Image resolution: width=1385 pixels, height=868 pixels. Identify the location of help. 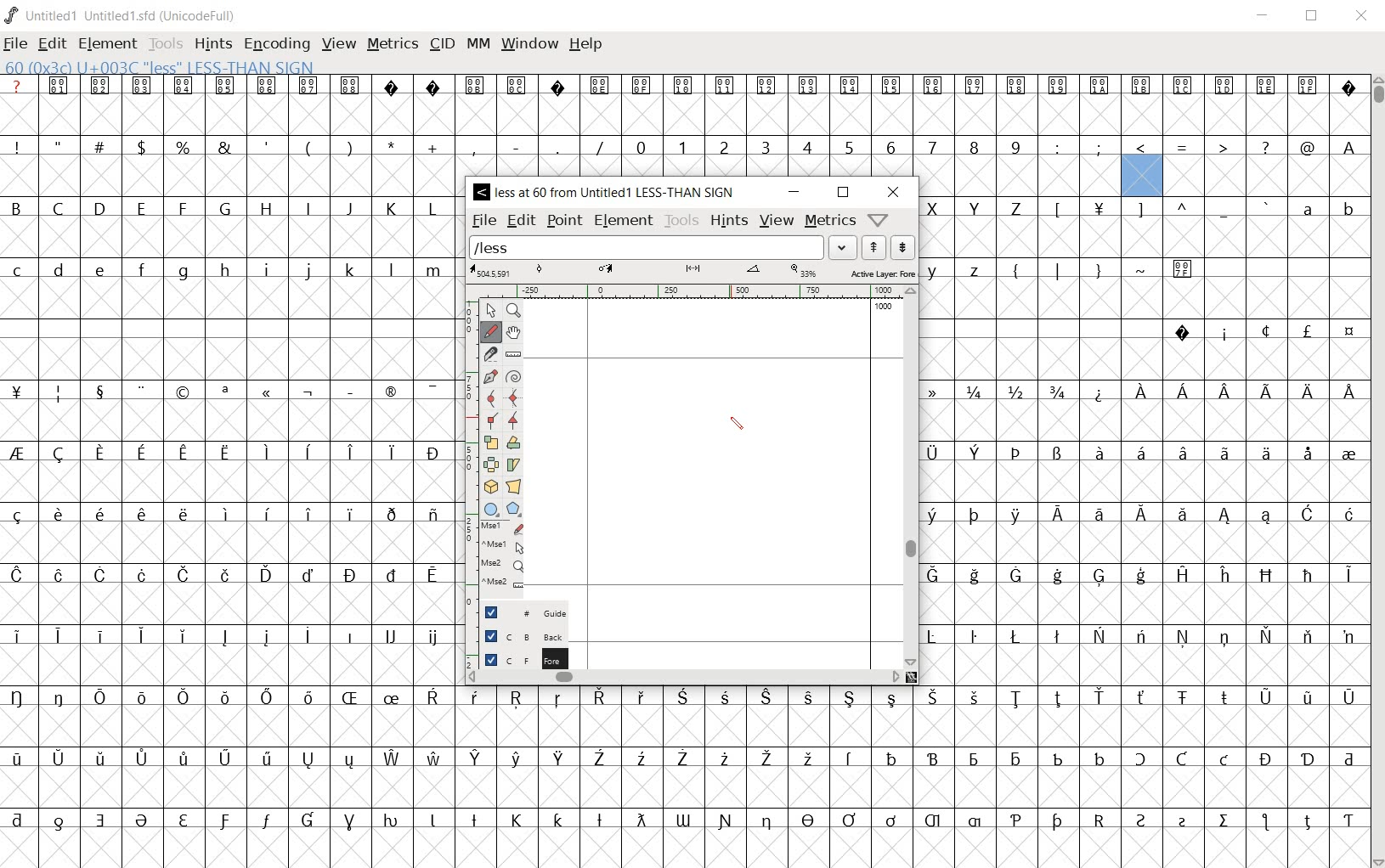
(586, 45).